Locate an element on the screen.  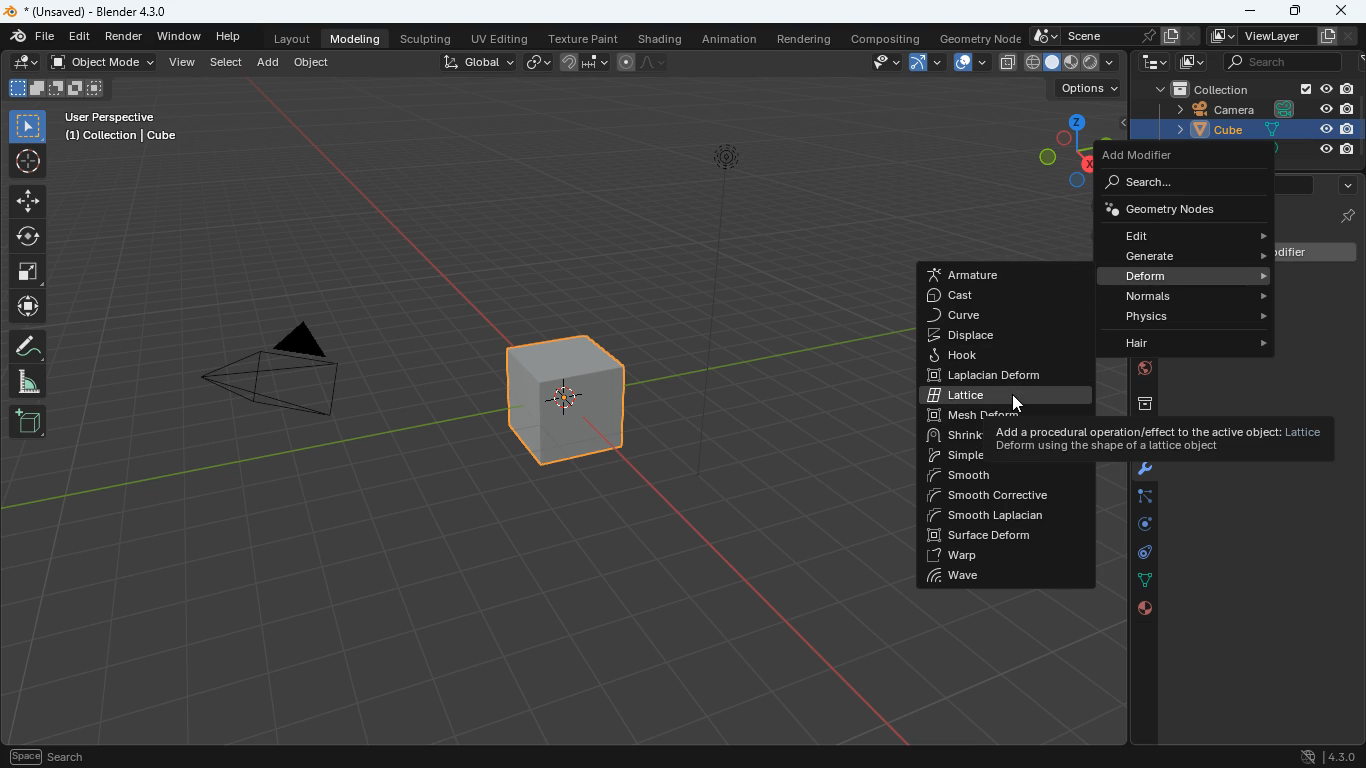
scene is located at coordinates (1115, 36).